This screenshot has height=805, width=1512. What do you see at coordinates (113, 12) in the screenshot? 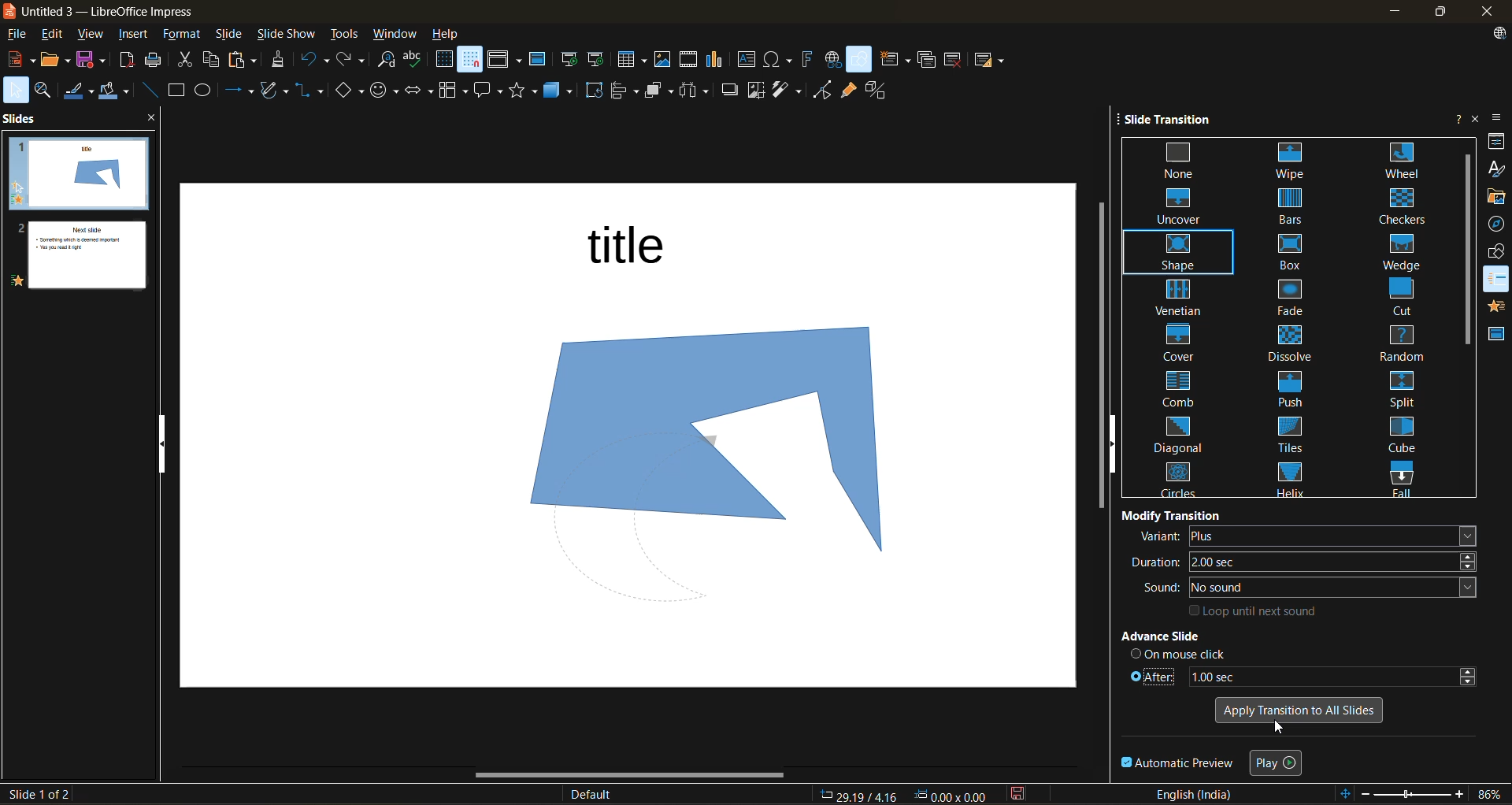
I see `file name and app name` at bounding box center [113, 12].